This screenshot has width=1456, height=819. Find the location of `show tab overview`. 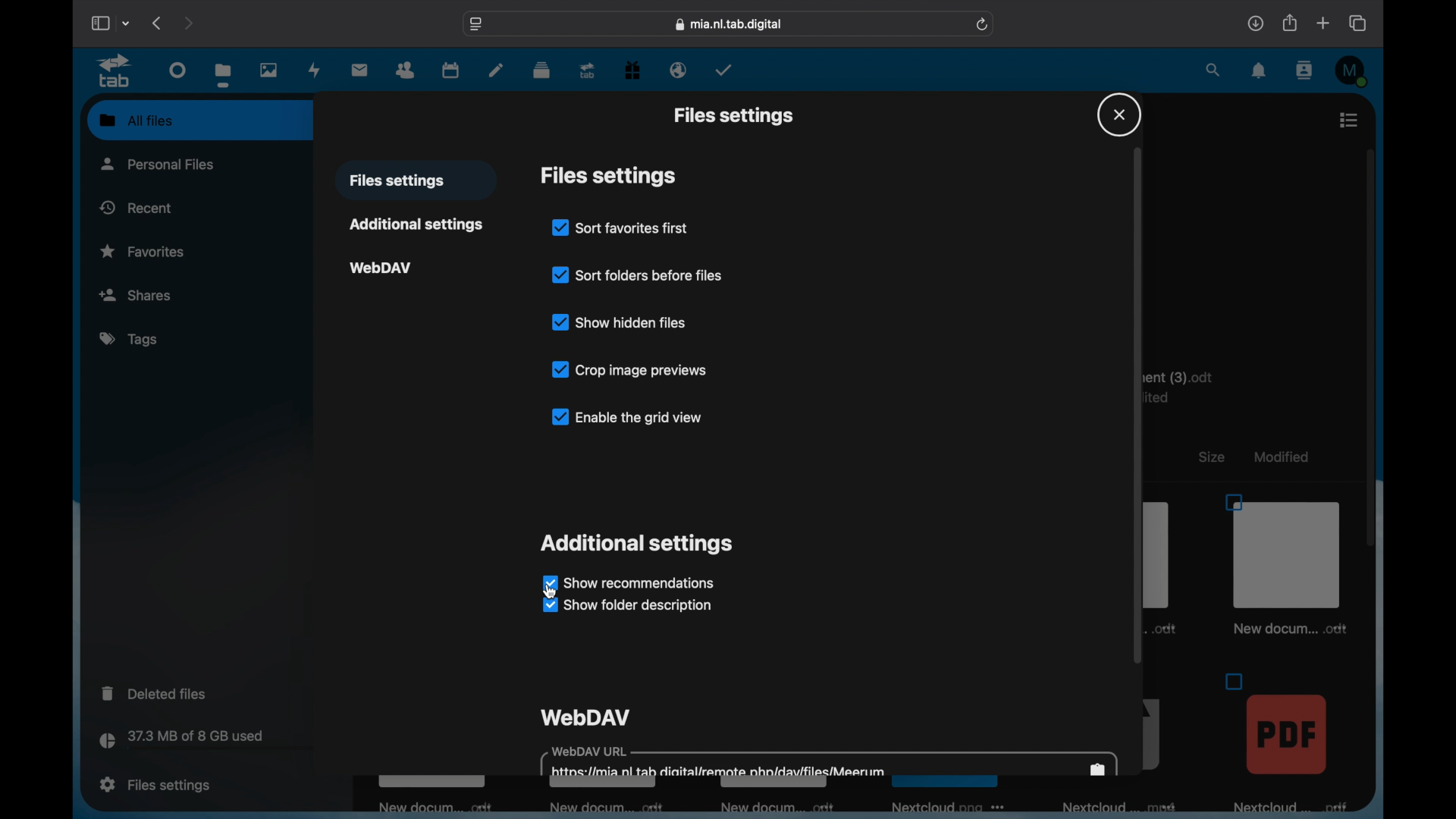

show tab overview is located at coordinates (1357, 23).